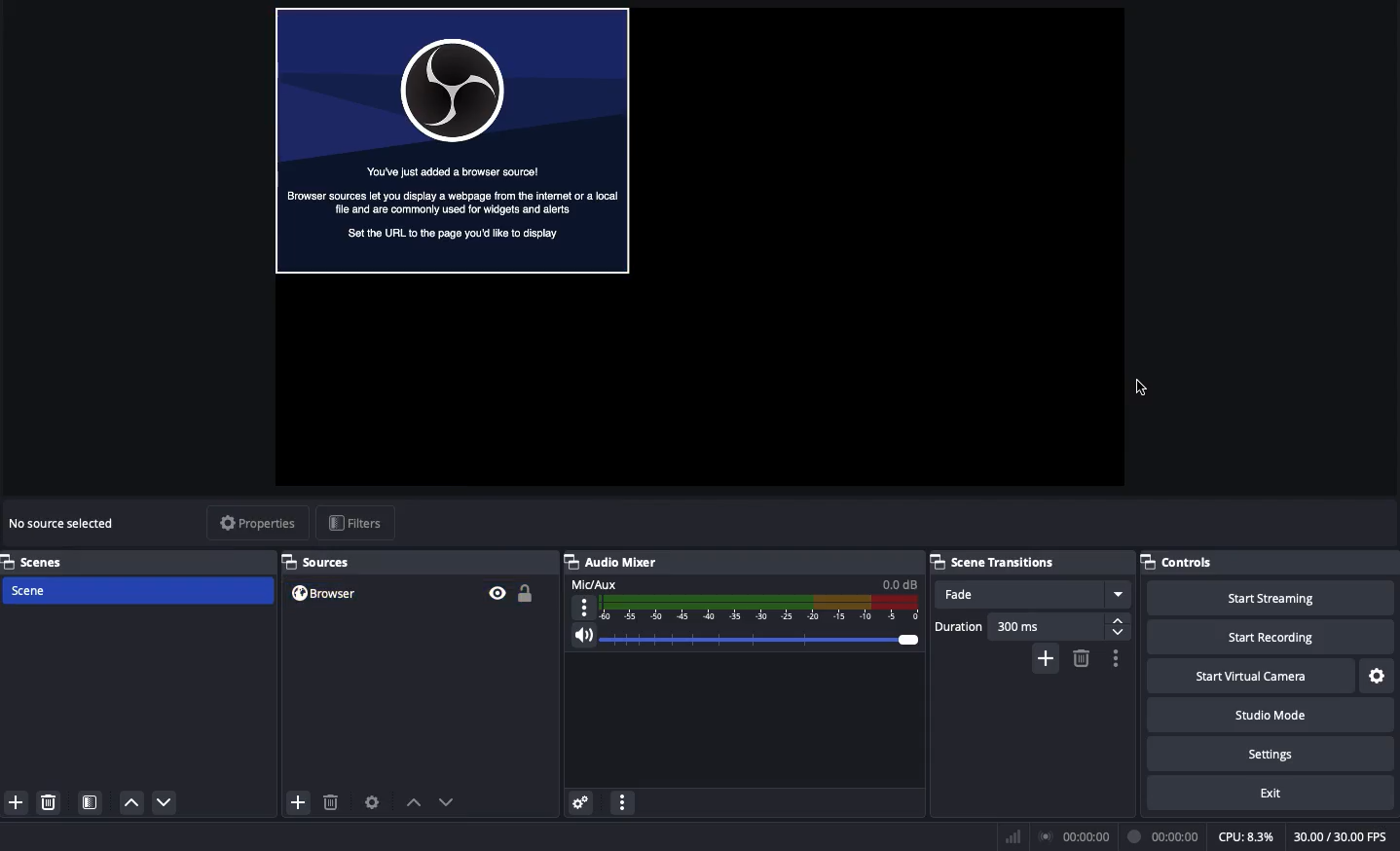 This screenshot has height=851, width=1400. Describe the element at coordinates (582, 802) in the screenshot. I see `Settings` at that location.